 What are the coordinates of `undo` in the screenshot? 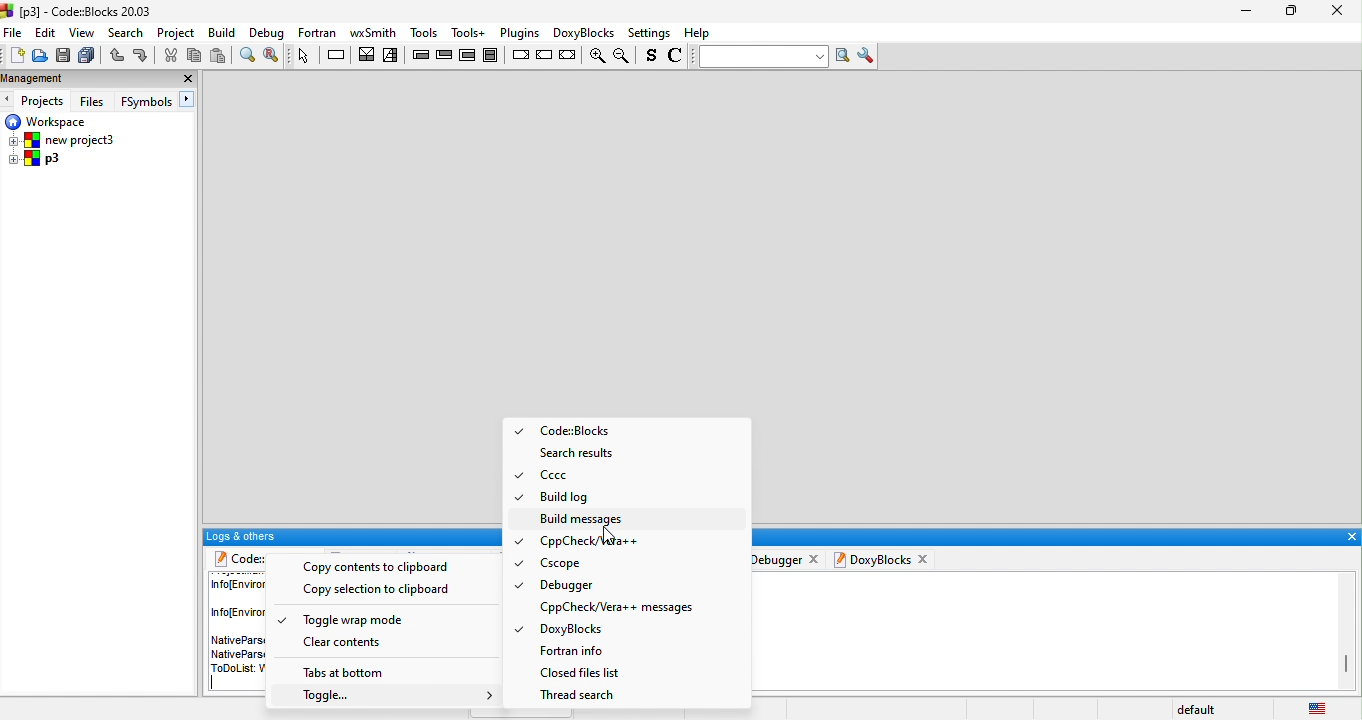 It's located at (115, 56).